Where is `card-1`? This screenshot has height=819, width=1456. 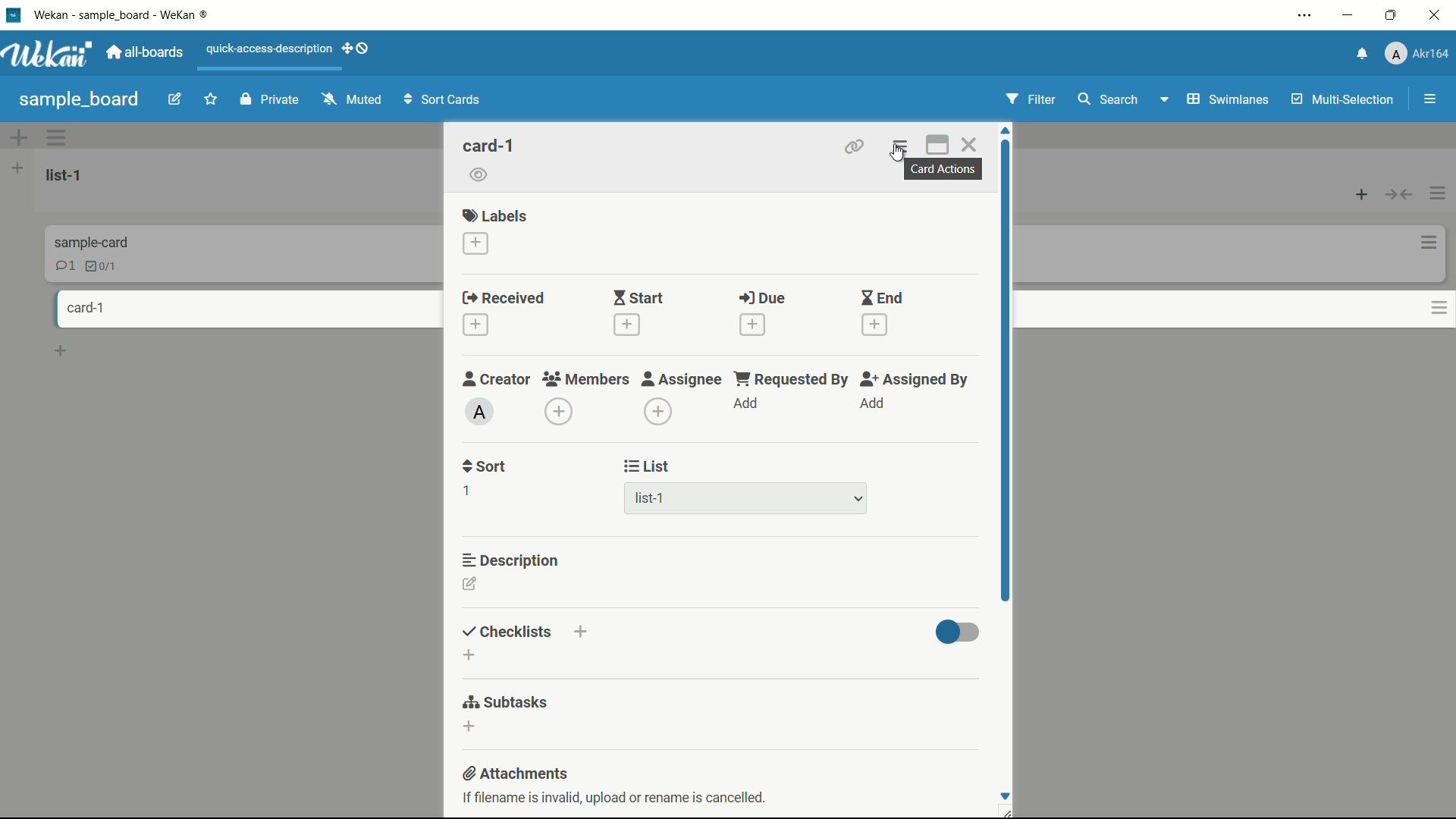
card-1 is located at coordinates (83, 308).